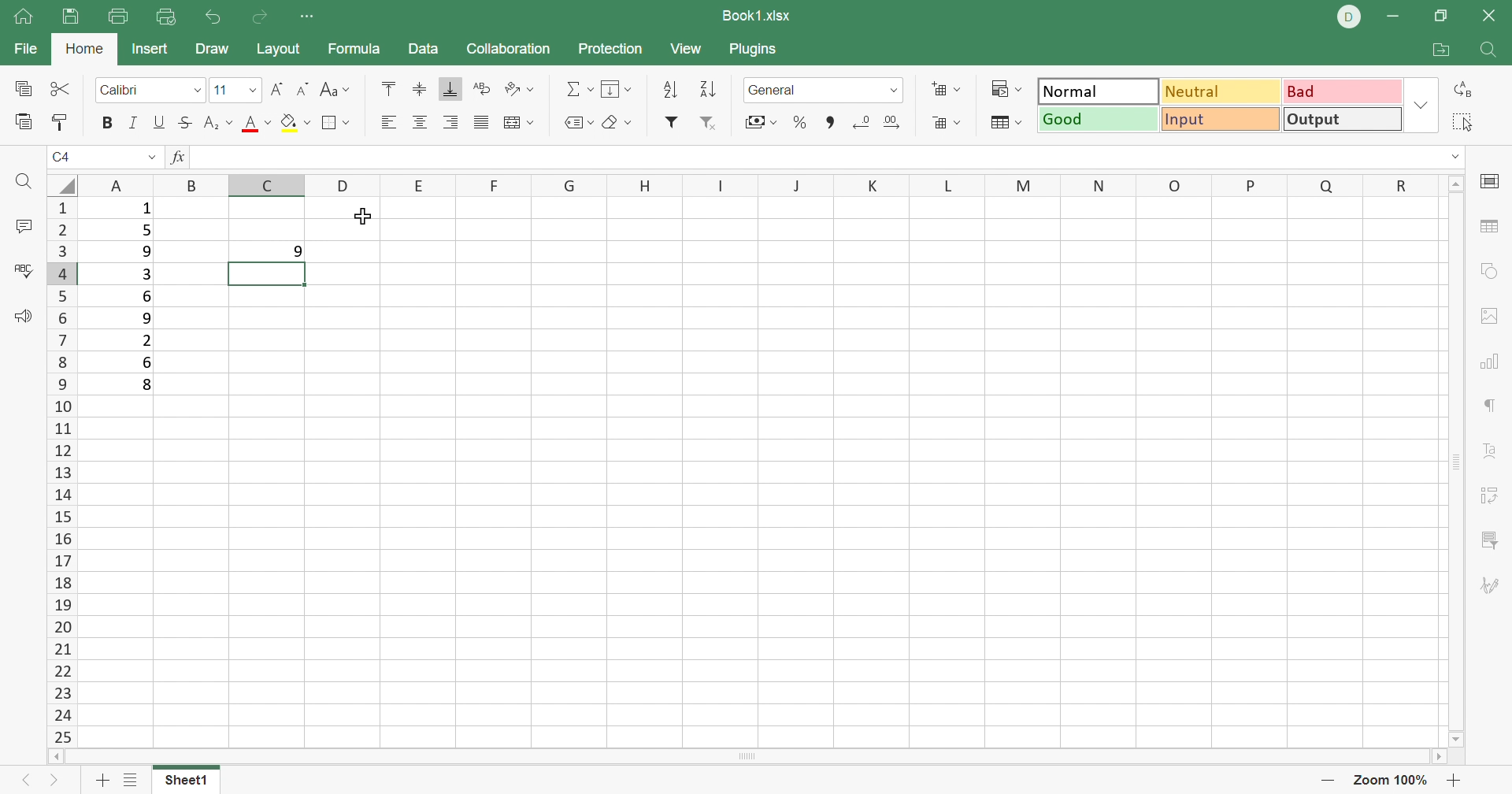  I want to click on Input, so click(1222, 121).